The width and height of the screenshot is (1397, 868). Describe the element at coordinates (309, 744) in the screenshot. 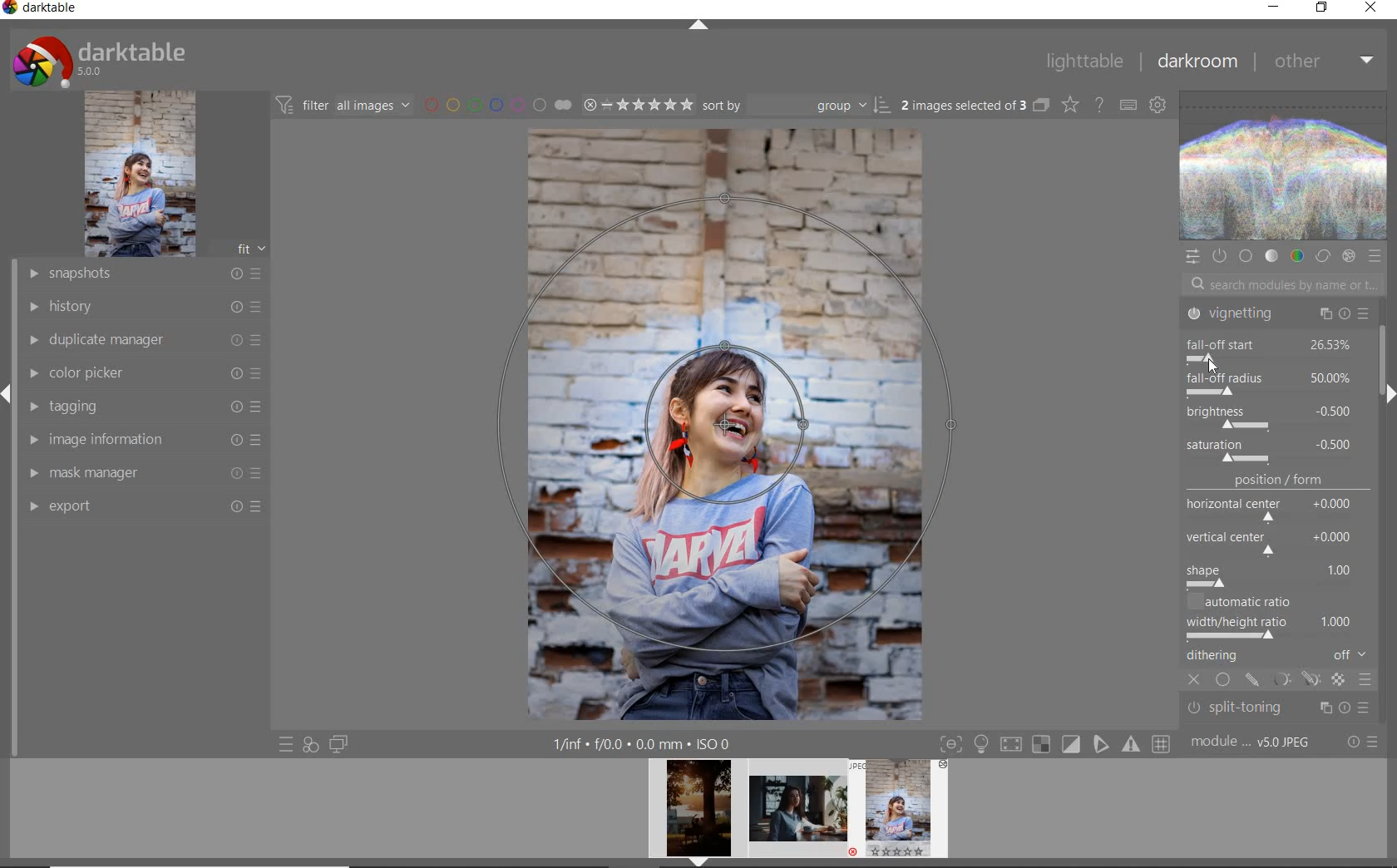

I see `quick access for applying any of your style` at that location.